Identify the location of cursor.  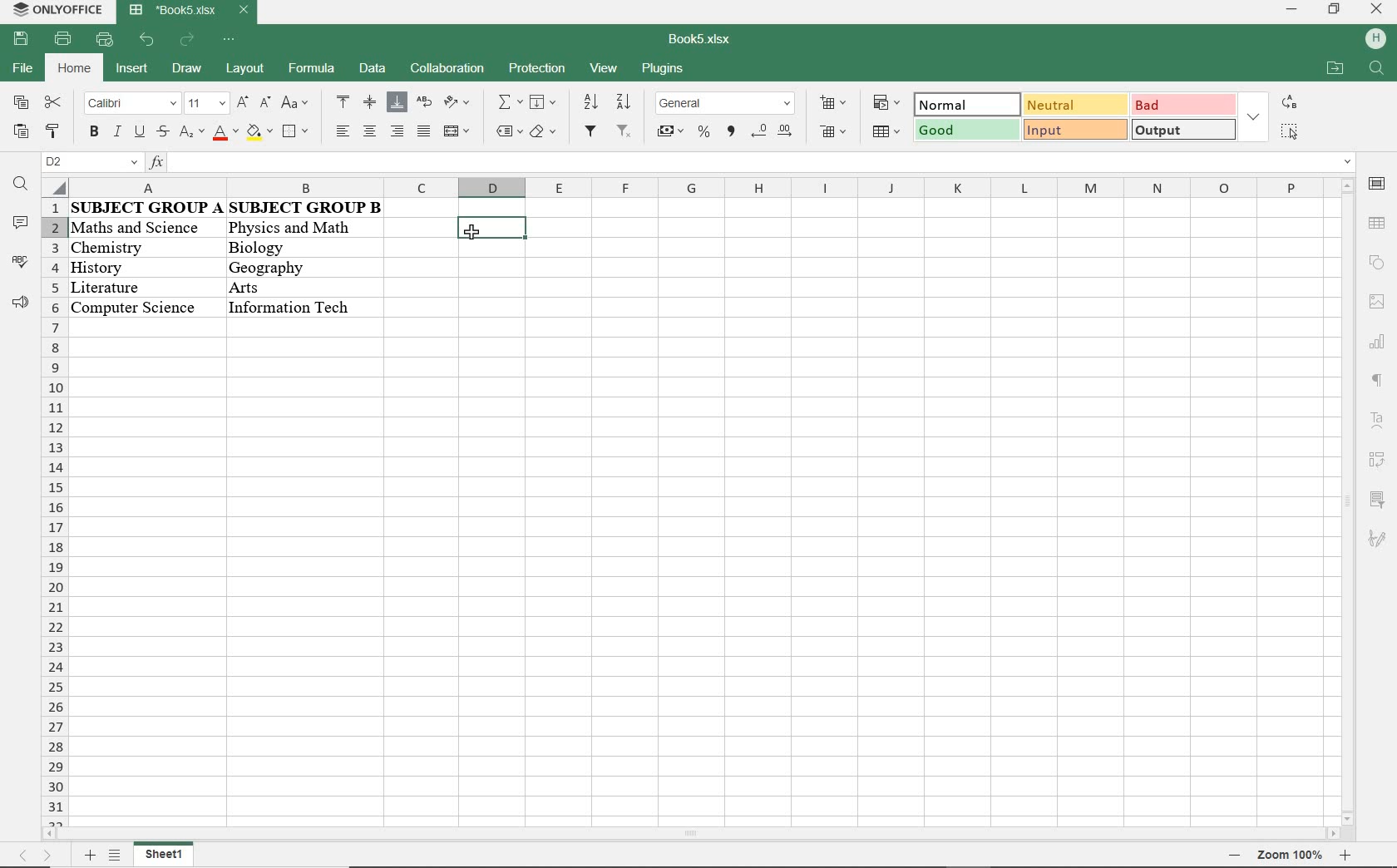
(474, 234).